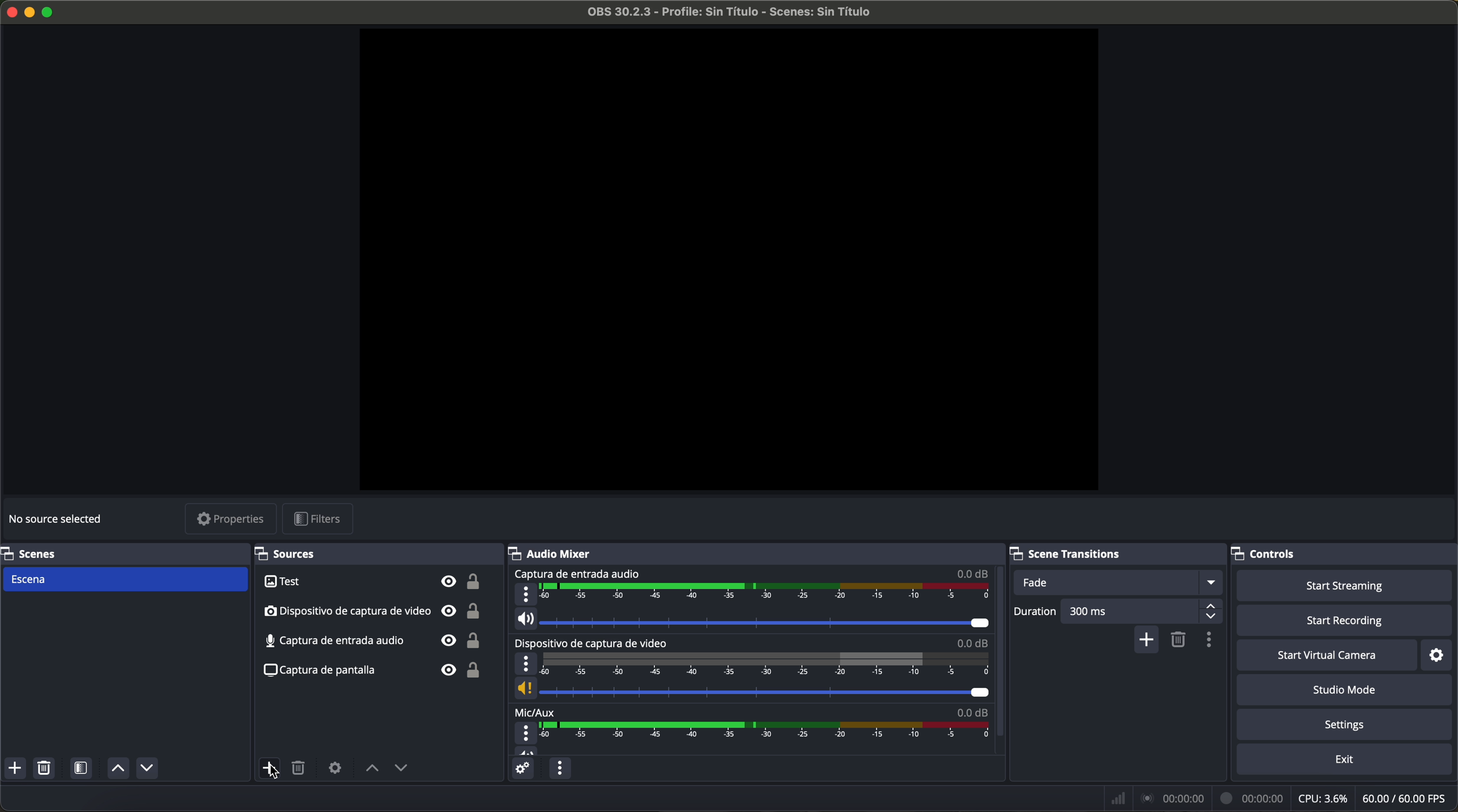 This screenshot has width=1458, height=812. I want to click on start streaming, so click(1345, 585).